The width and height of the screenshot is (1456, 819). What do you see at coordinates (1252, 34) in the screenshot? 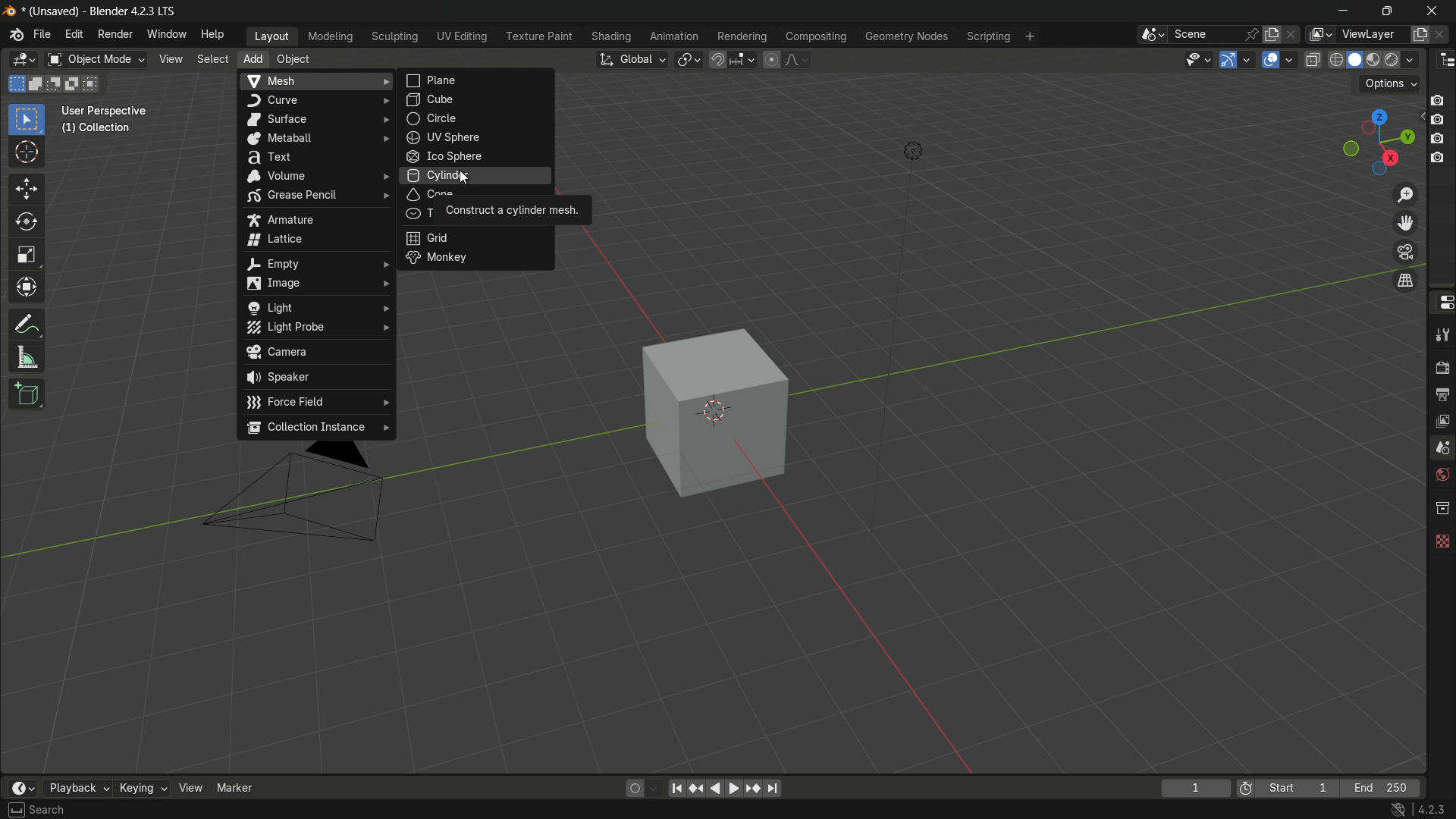
I see `pin scene to workspace` at bounding box center [1252, 34].